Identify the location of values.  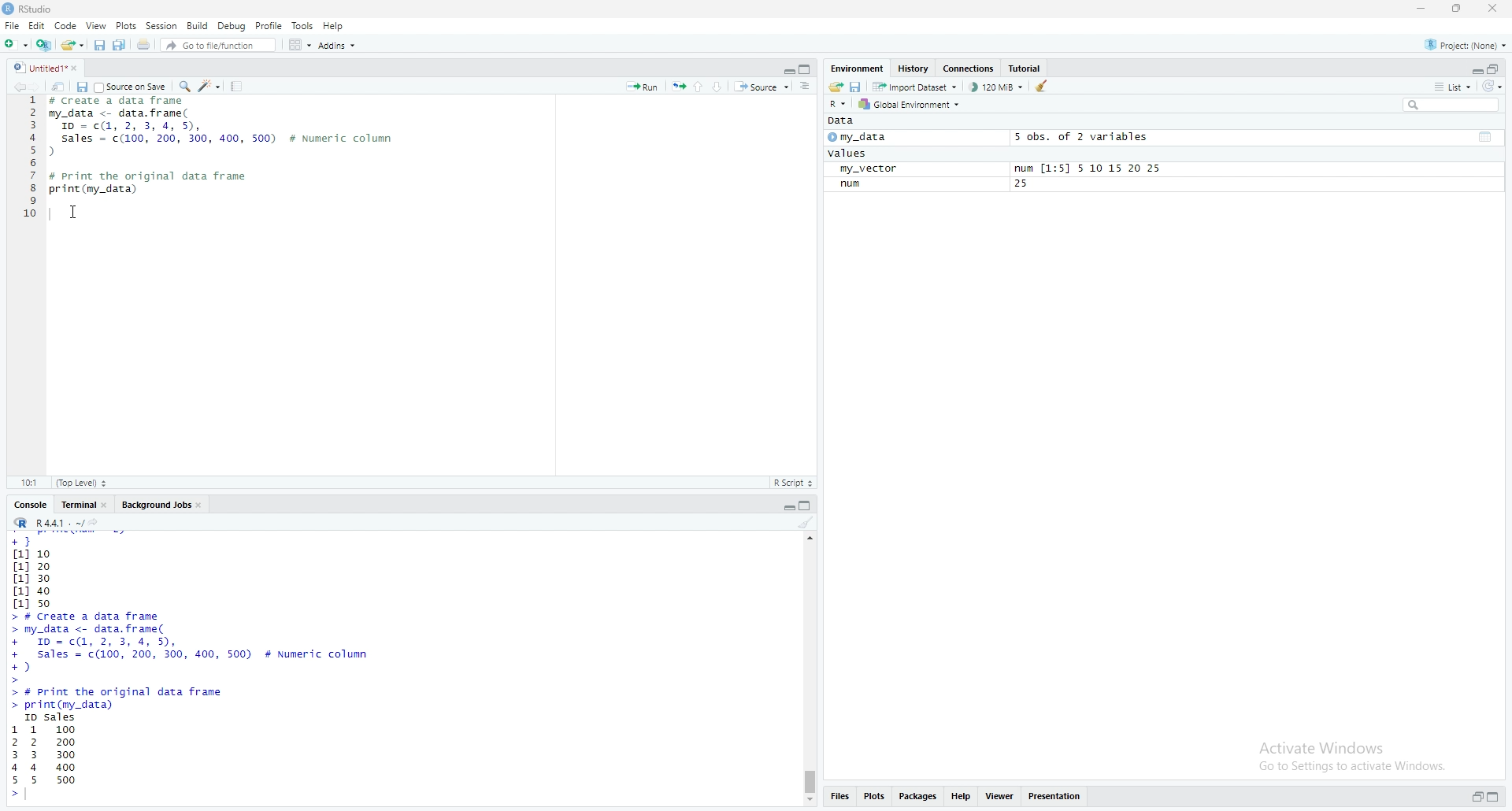
(847, 154).